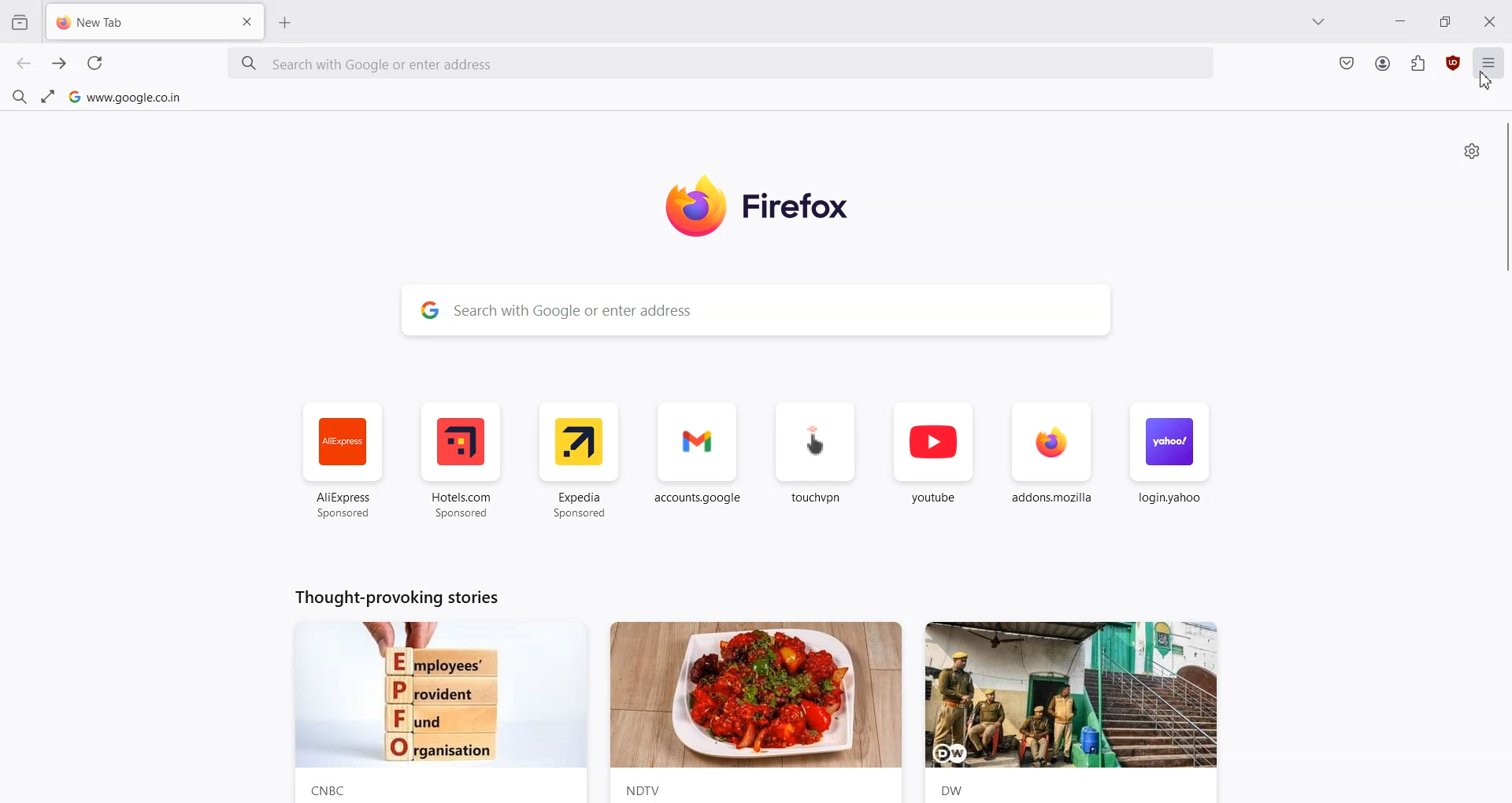  Describe the element at coordinates (1320, 21) in the screenshot. I see `List all tab` at that location.